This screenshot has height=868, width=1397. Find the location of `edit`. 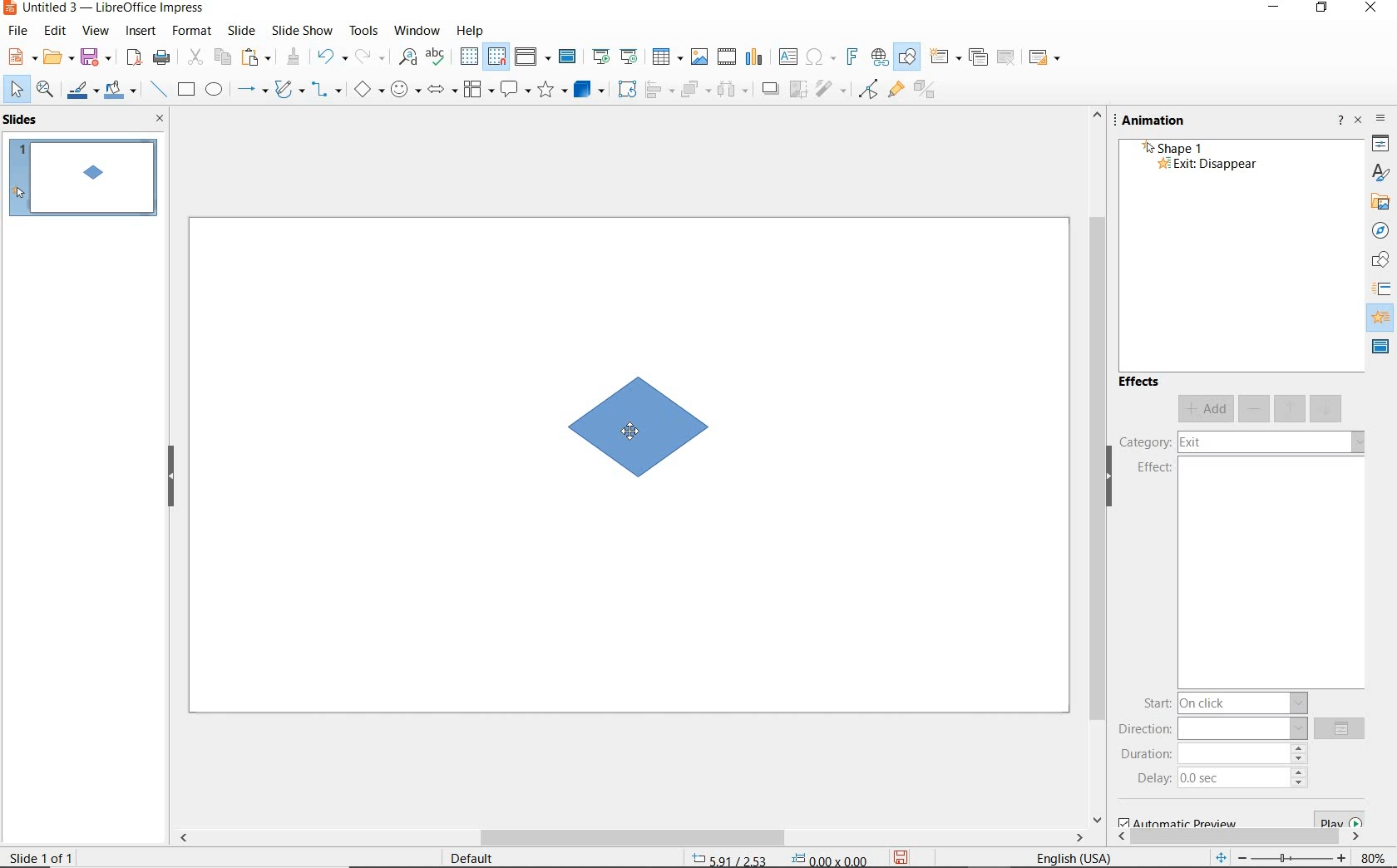

edit is located at coordinates (55, 31).